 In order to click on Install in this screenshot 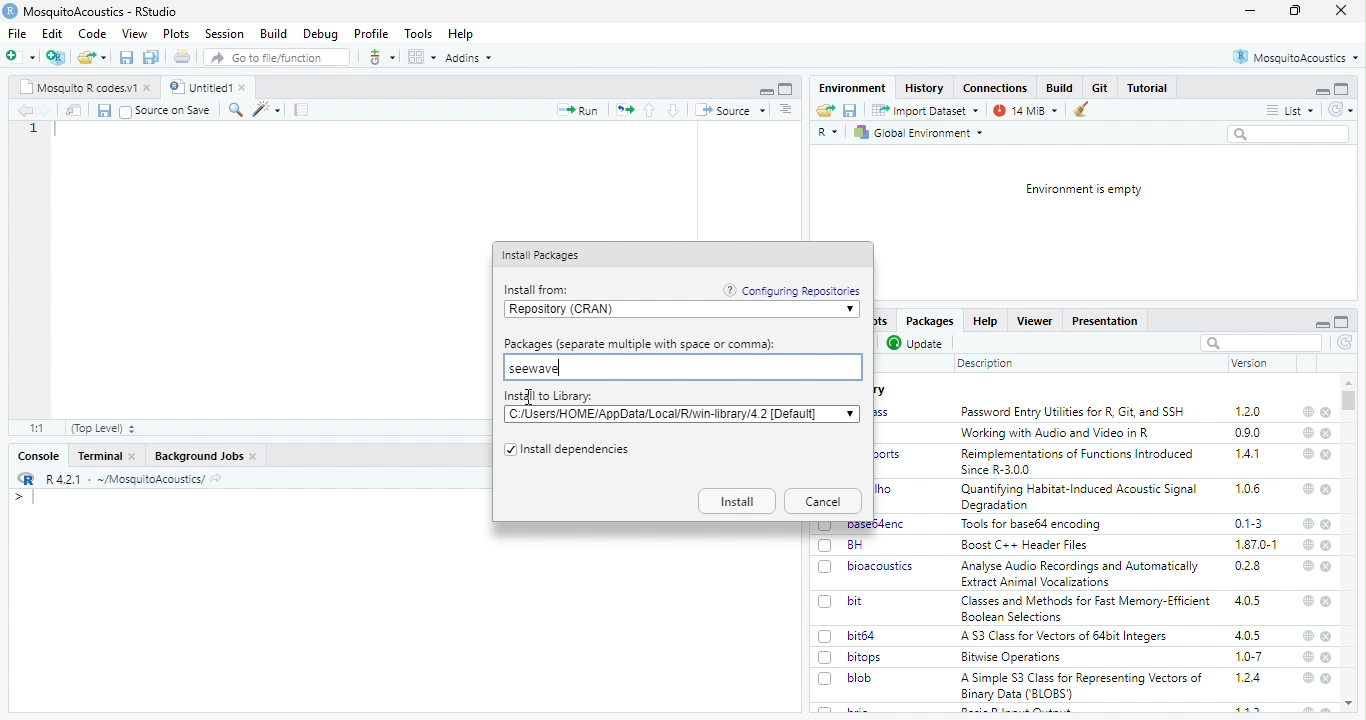, I will do `click(737, 501)`.